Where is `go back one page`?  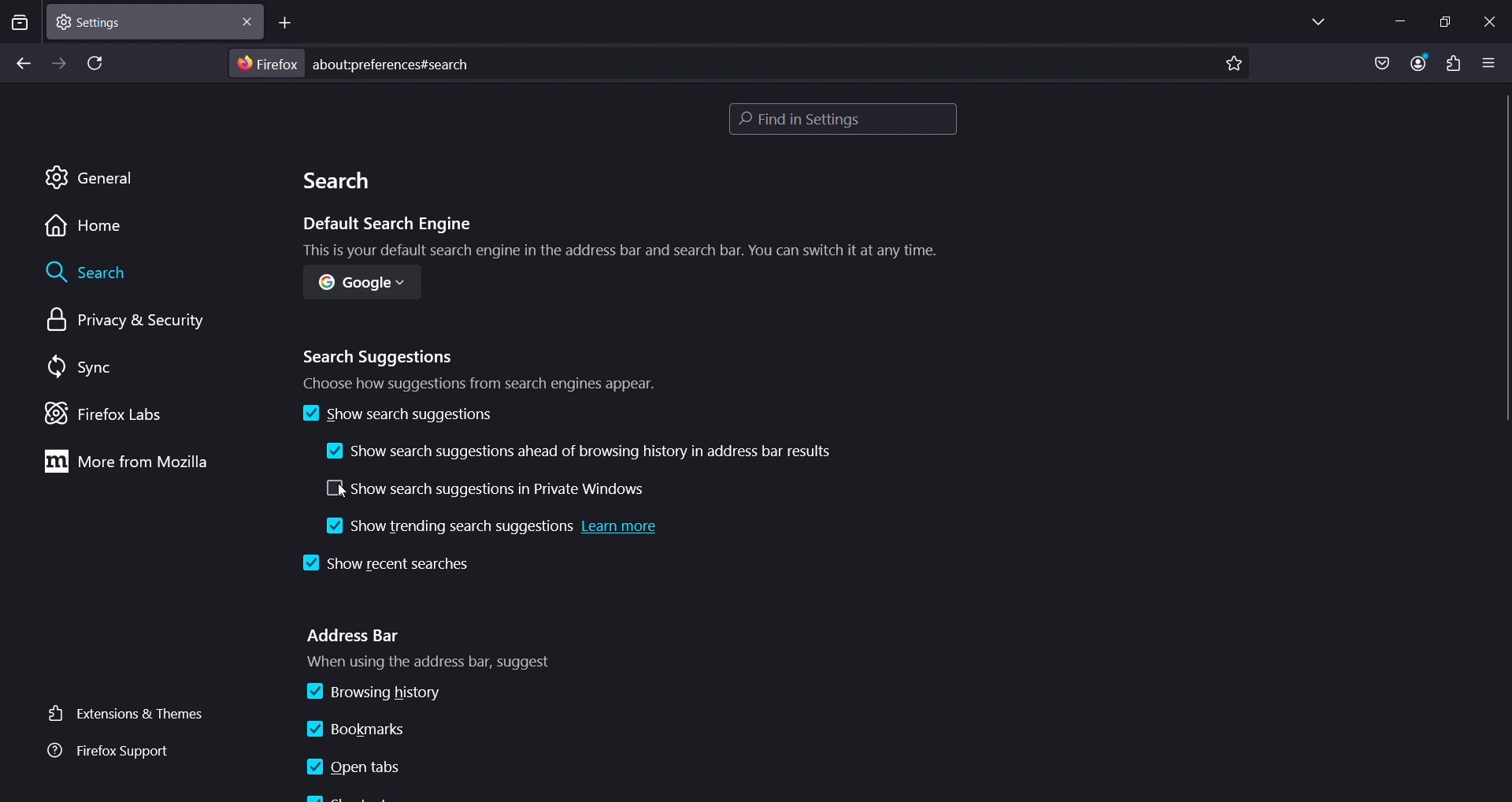
go back one page is located at coordinates (23, 65).